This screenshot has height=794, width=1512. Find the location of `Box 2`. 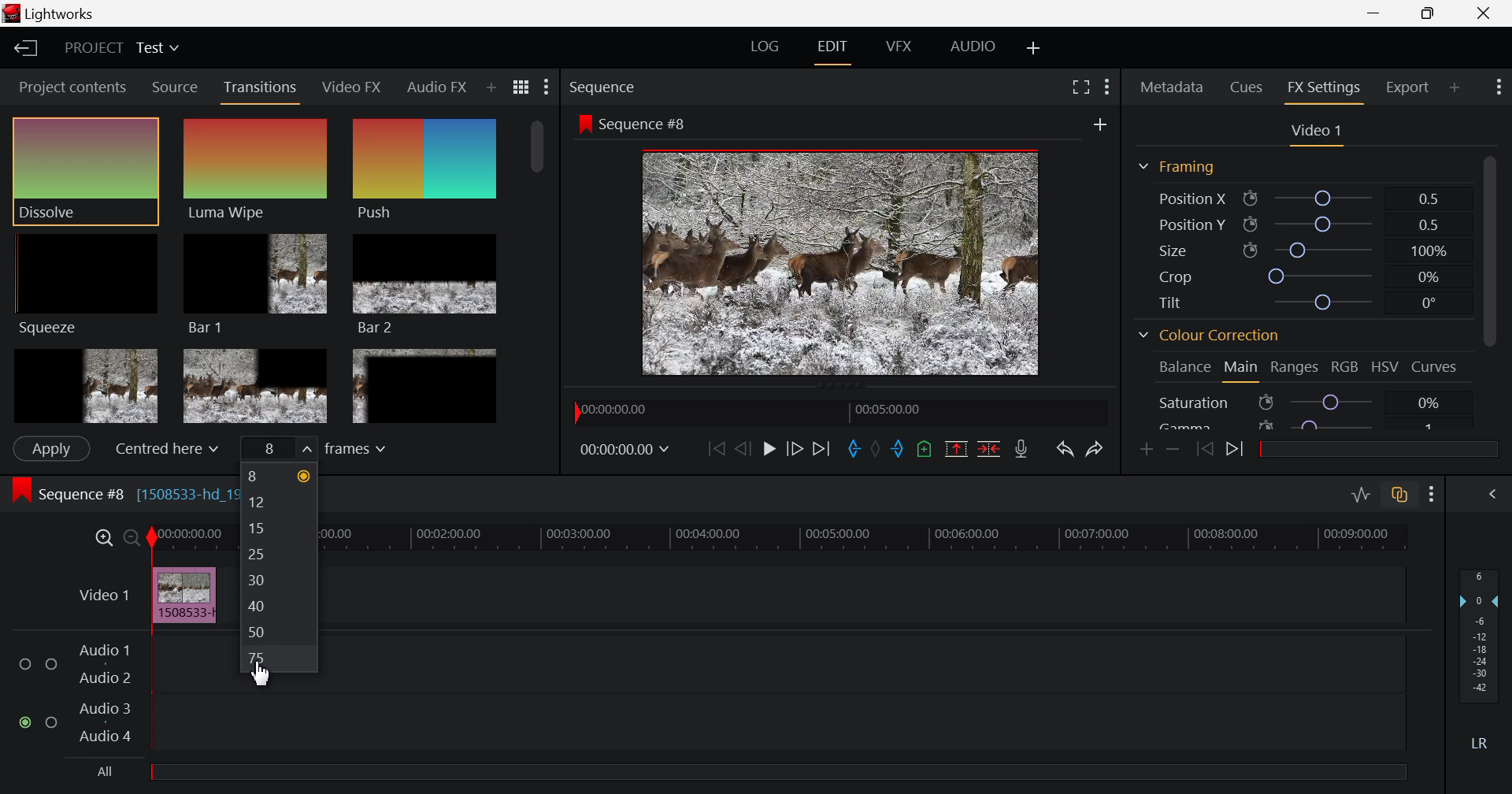

Box 2 is located at coordinates (257, 385).